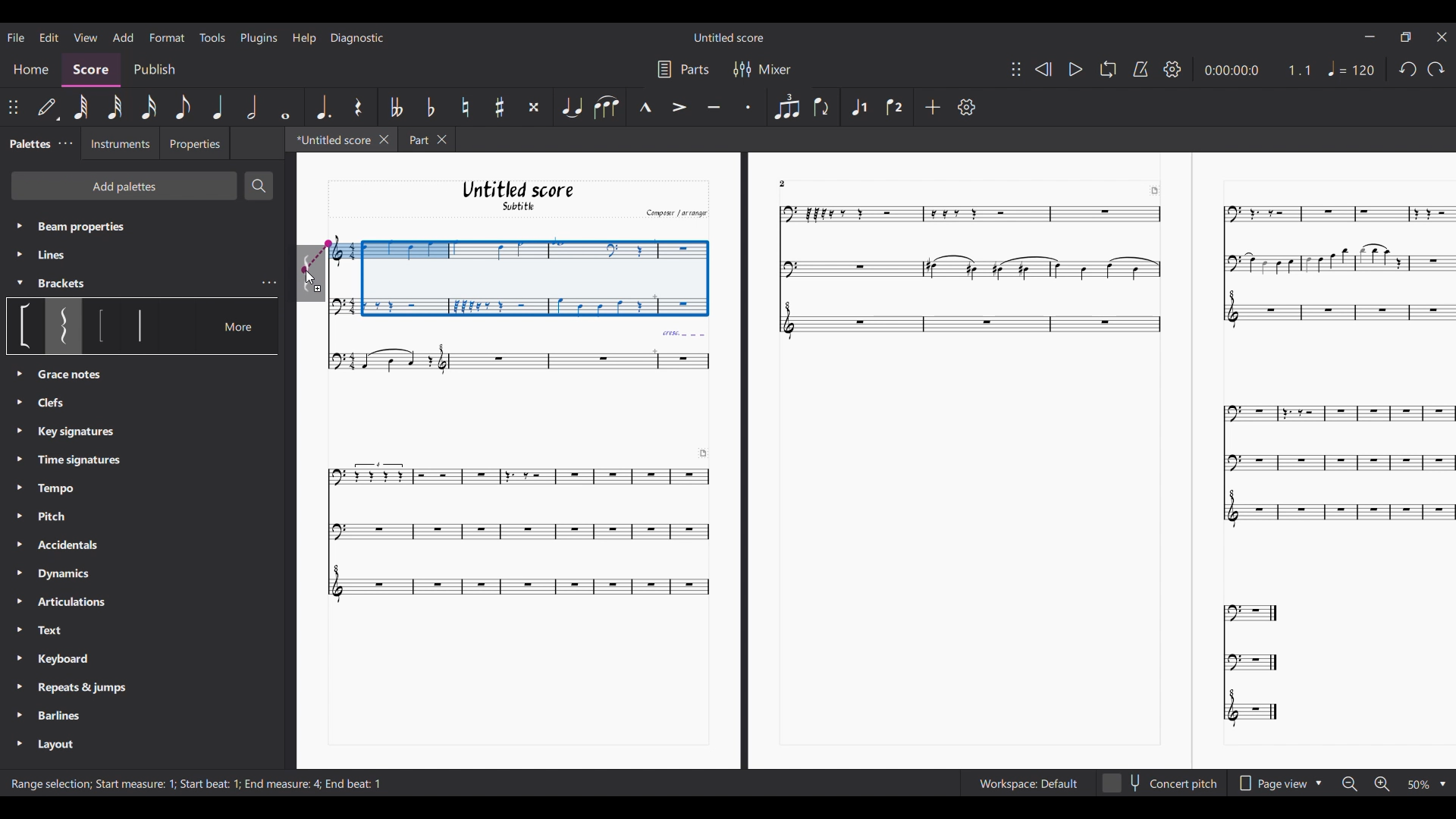  I want to click on Option under bracket section, so click(64, 326).